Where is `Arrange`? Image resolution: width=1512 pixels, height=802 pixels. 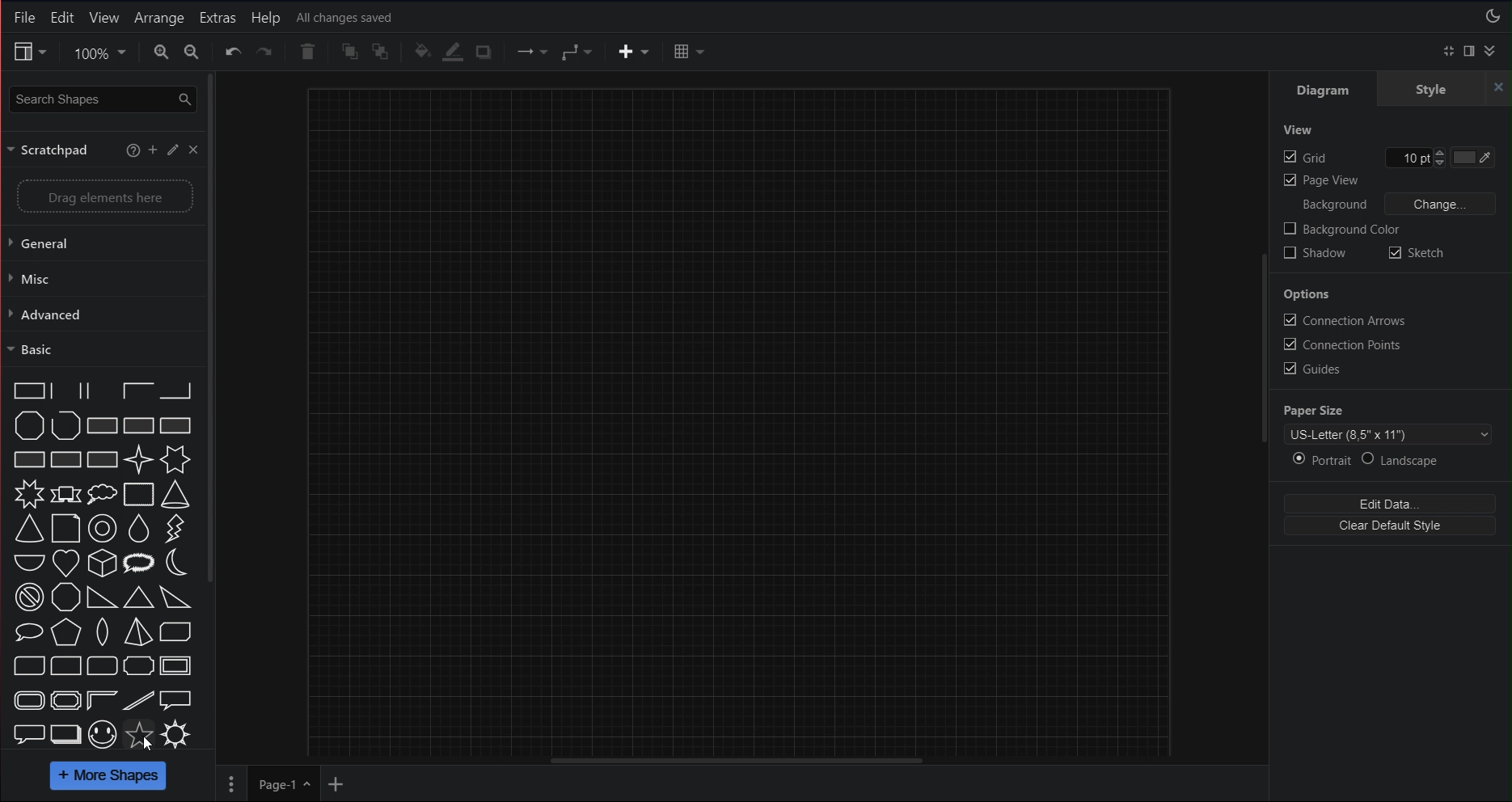
Arrange is located at coordinates (161, 18).